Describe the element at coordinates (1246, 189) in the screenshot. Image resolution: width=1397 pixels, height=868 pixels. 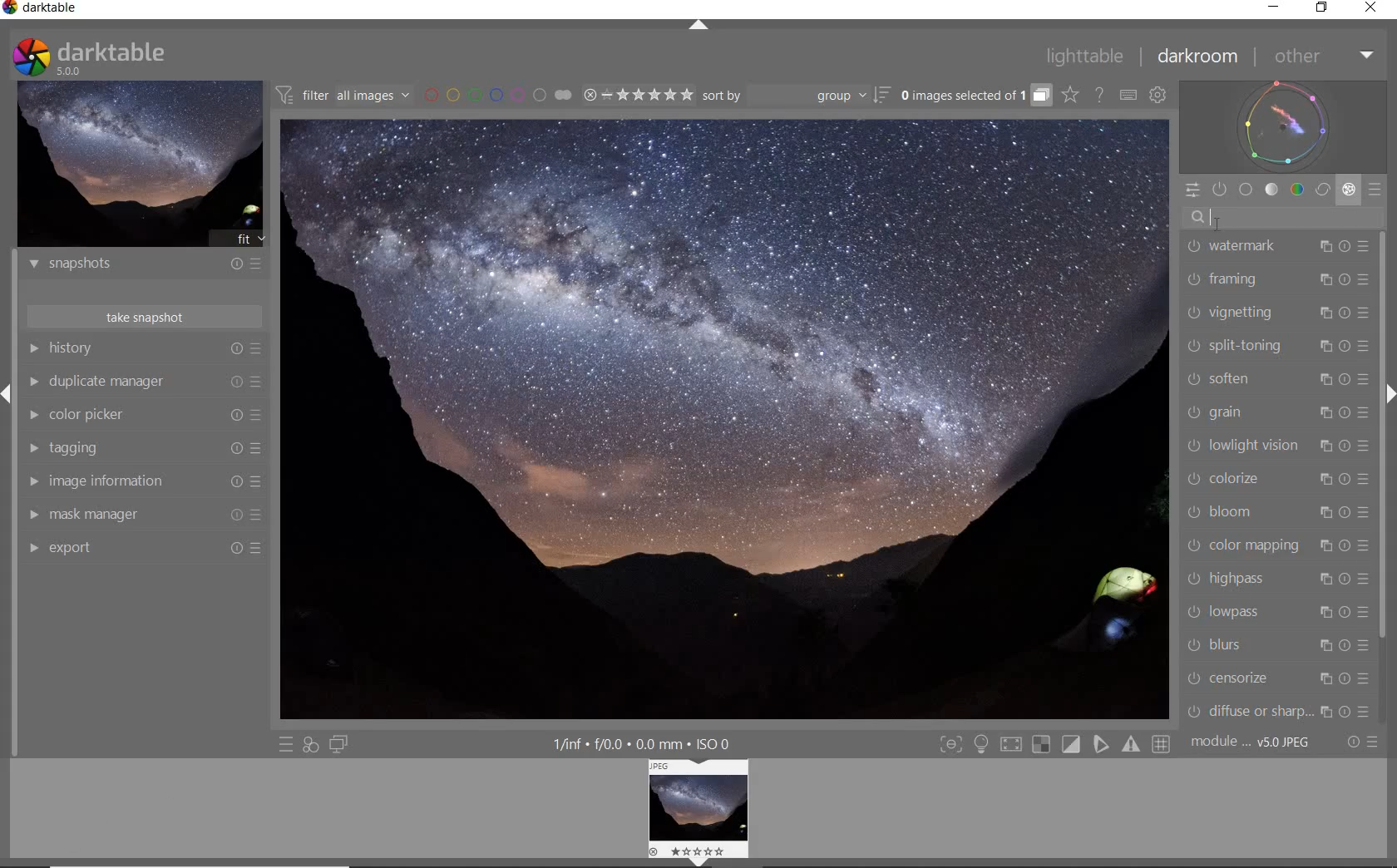
I see `BASE` at that location.